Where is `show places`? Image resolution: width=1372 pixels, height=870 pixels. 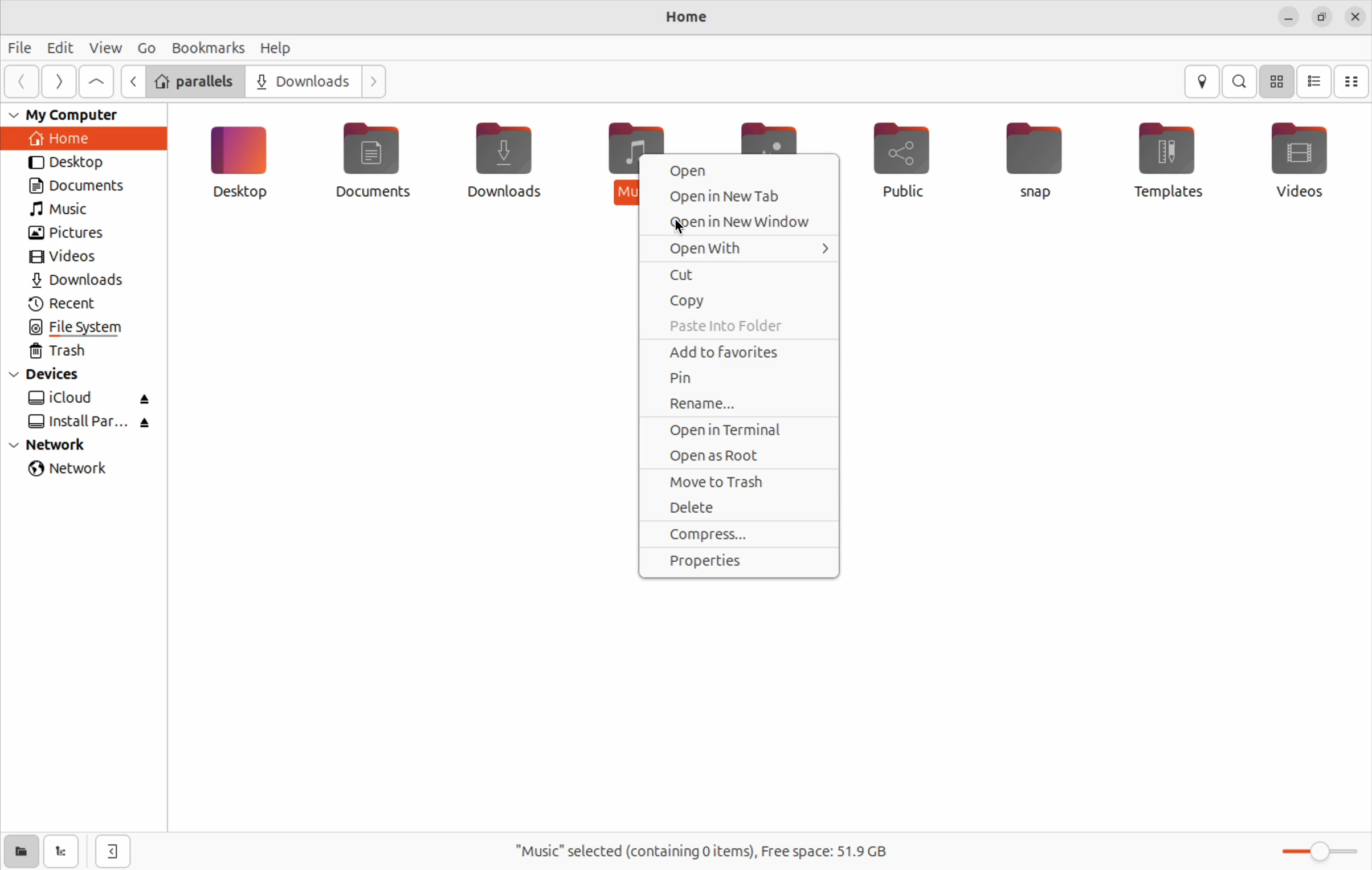 show places is located at coordinates (18, 851).